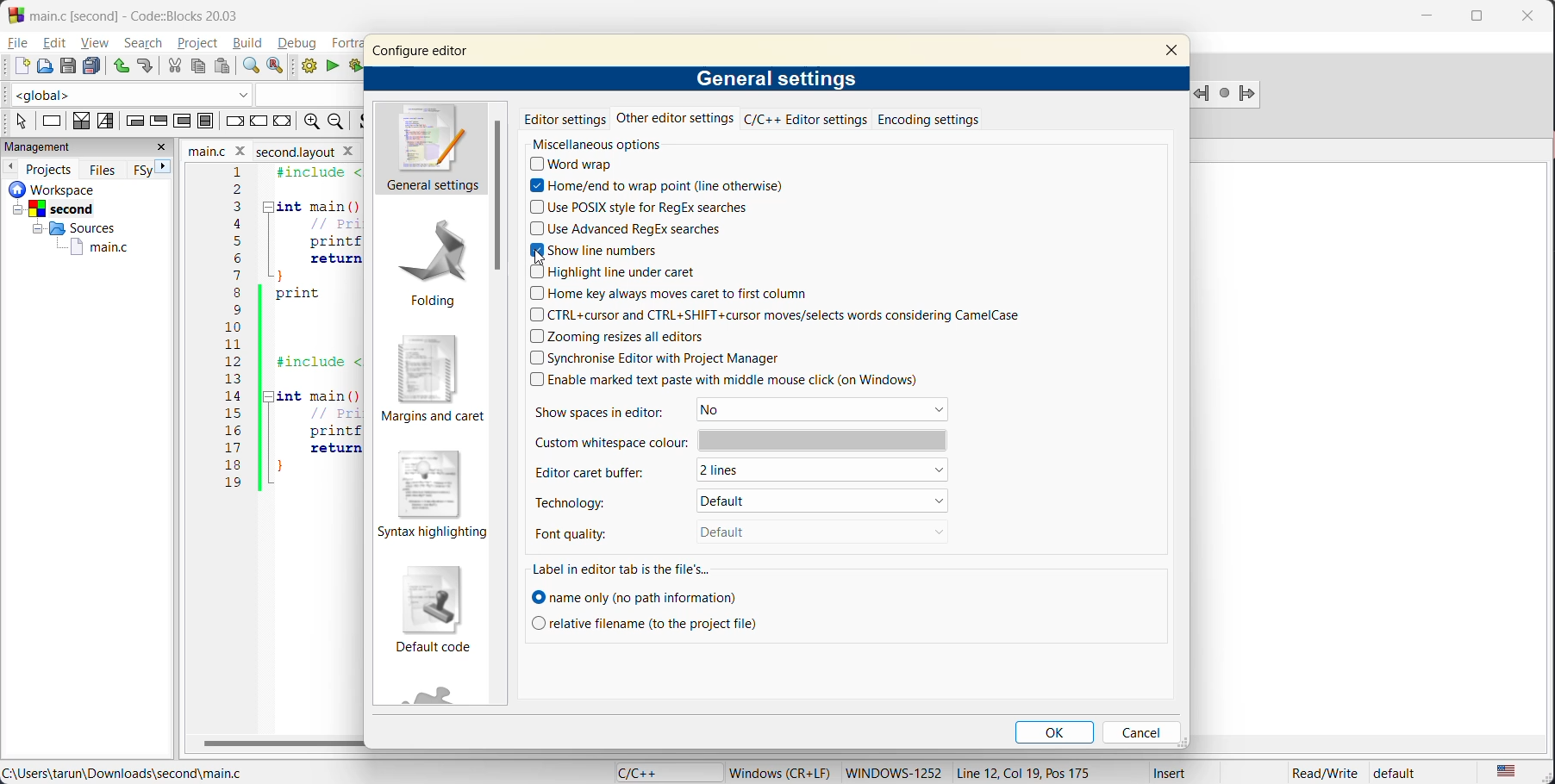 The image size is (1555, 784). I want to click on c/c++ editor settings, so click(802, 120).